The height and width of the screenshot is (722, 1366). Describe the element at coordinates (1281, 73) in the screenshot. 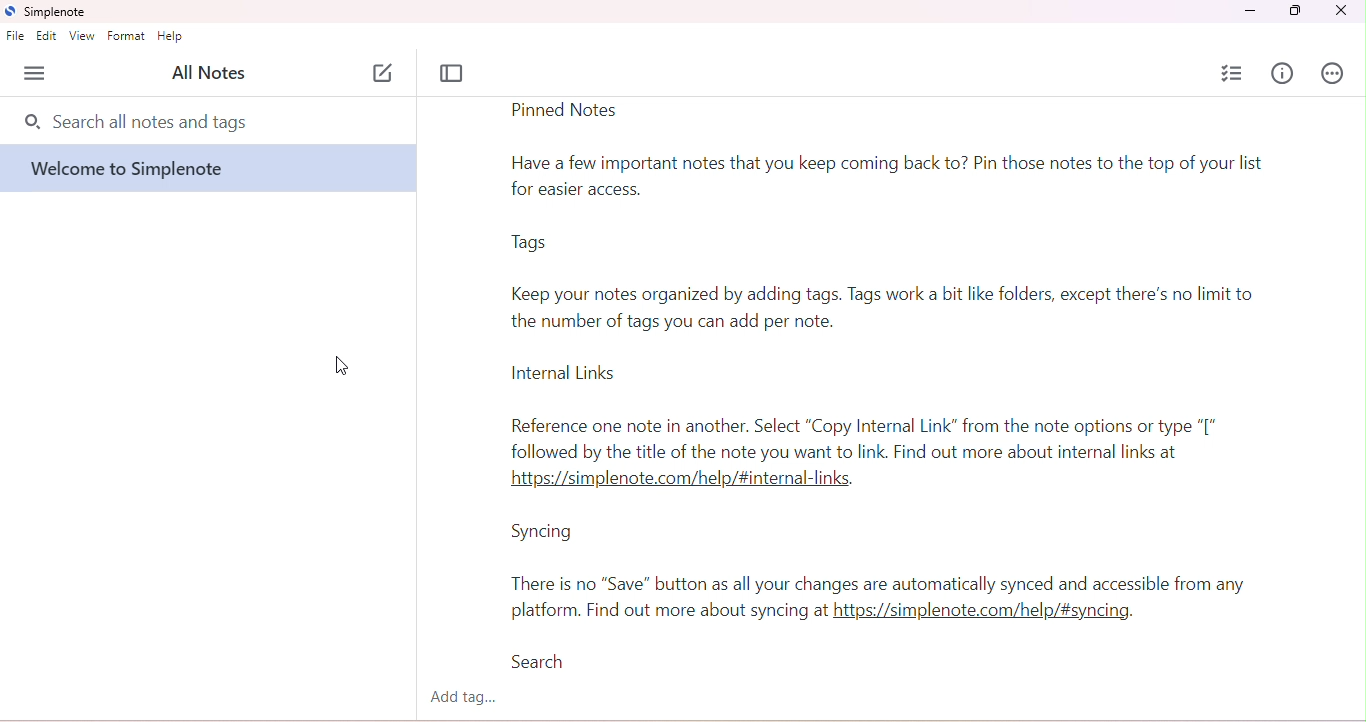

I see `info` at that location.